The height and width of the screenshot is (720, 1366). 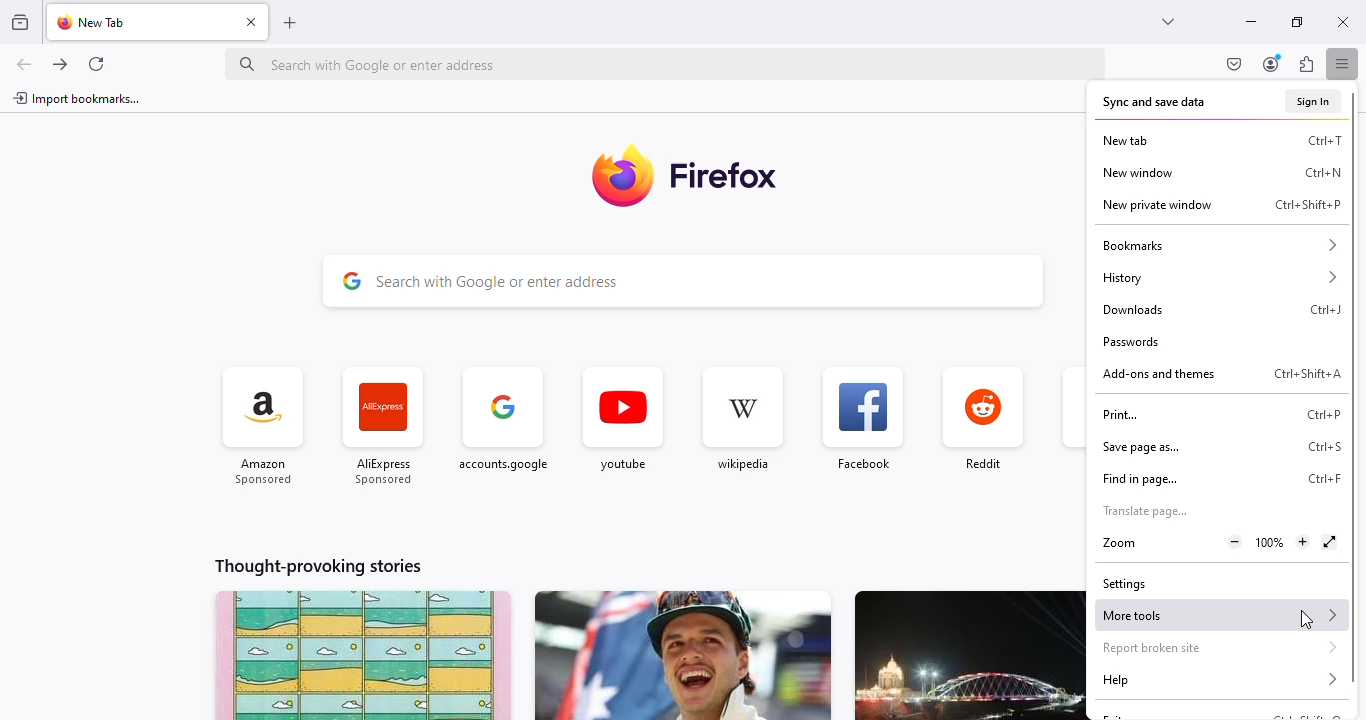 I want to click on shortcut for downloads, so click(x=1327, y=309).